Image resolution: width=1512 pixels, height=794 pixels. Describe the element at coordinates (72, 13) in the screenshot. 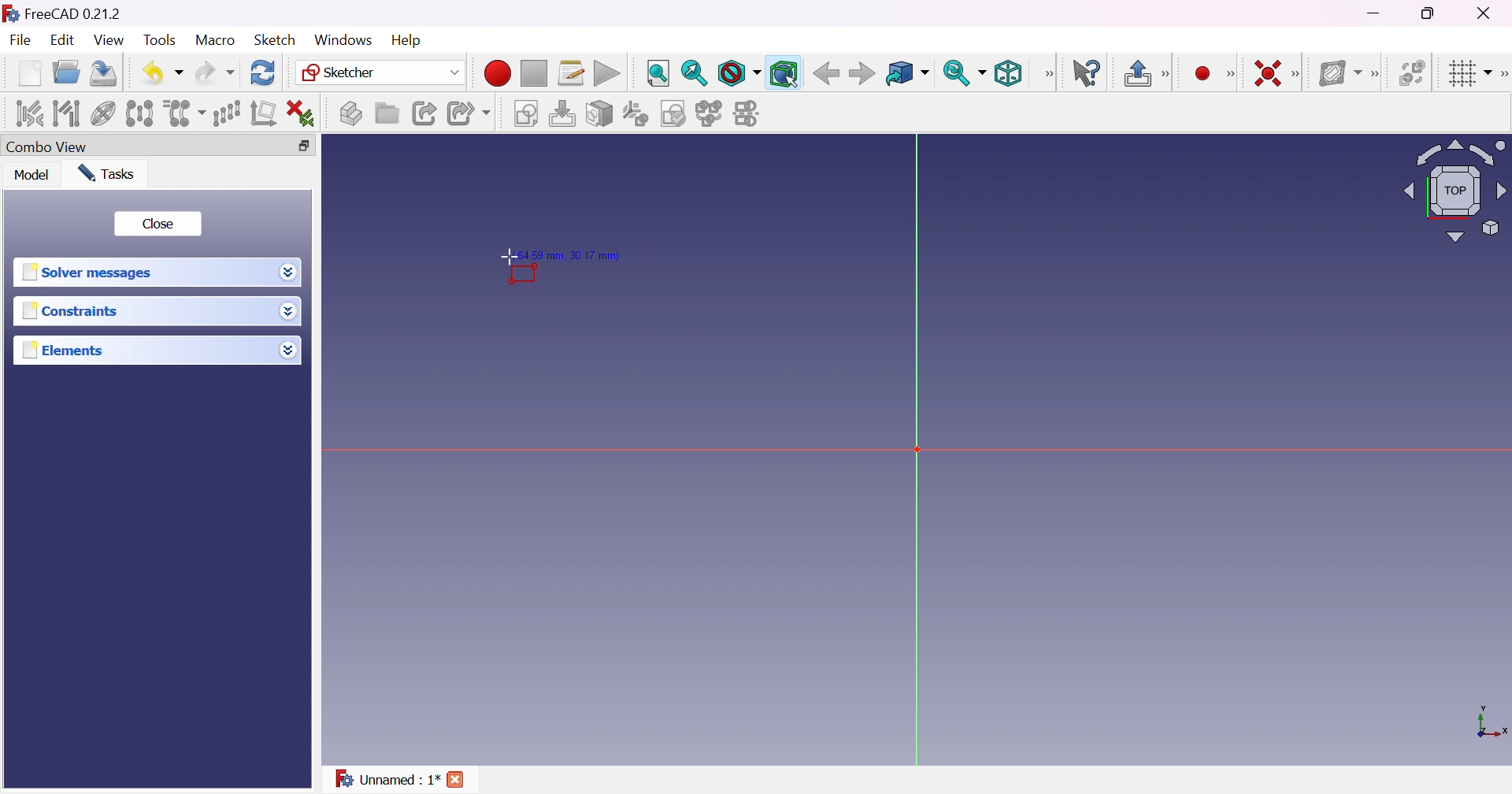

I see `FreeCAD 0.21.2` at that location.